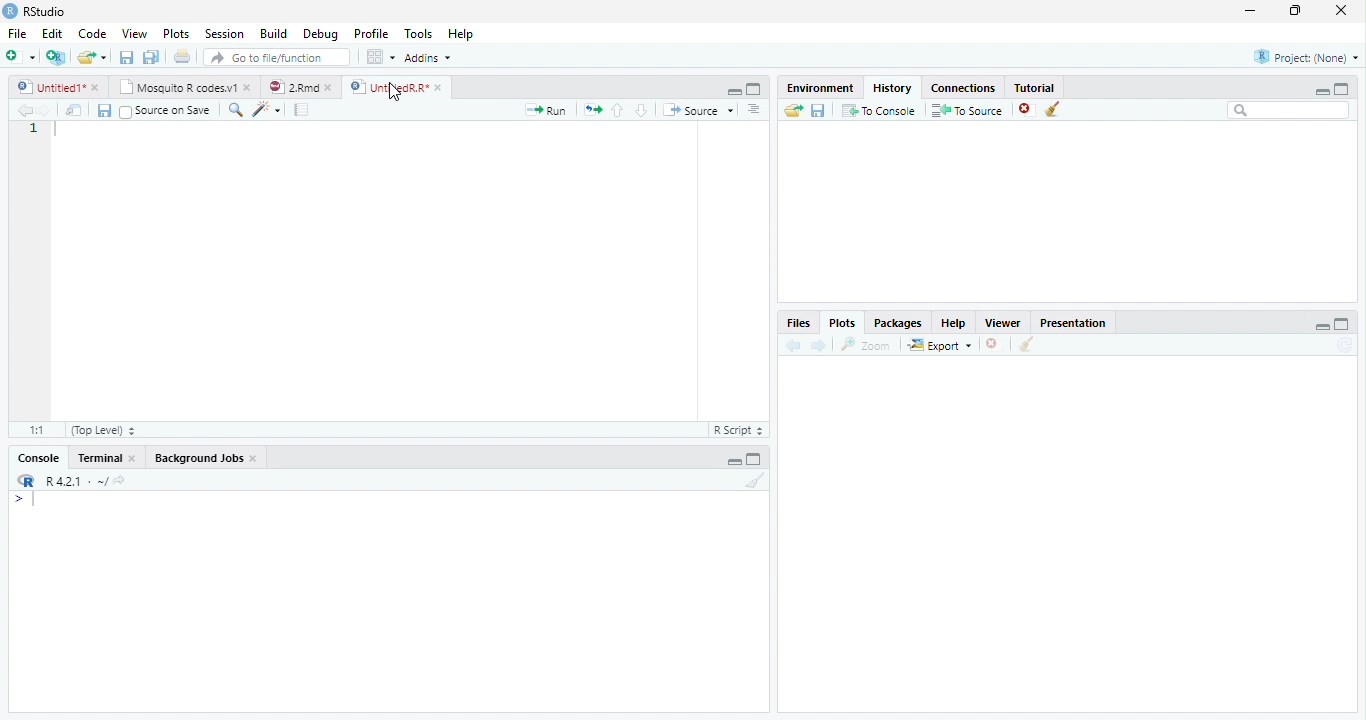 This screenshot has height=720, width=1366. I want to click on Viewer, so click(1002, 322).